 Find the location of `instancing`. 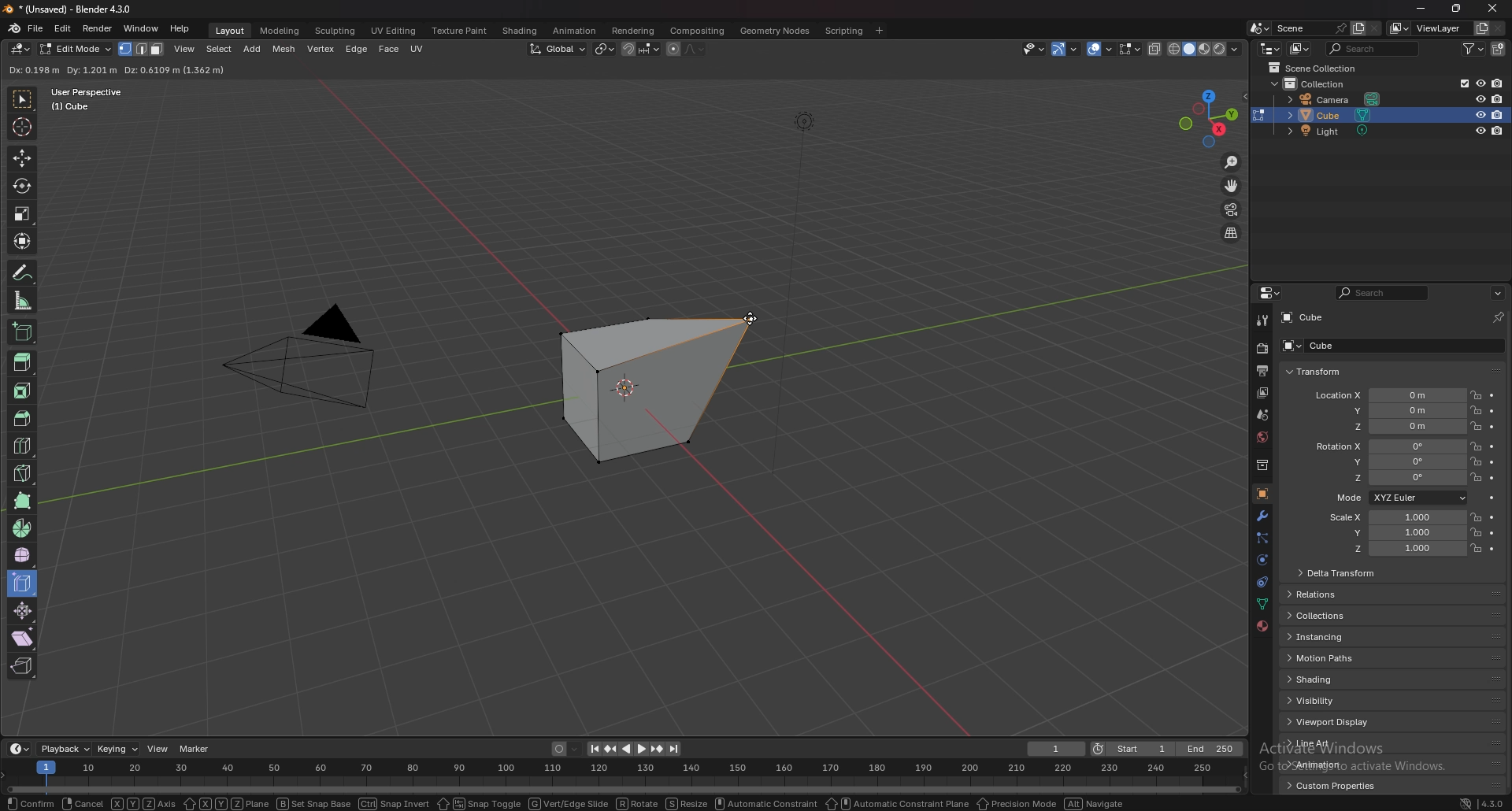

instancing is located at coordinates (1329, 639).